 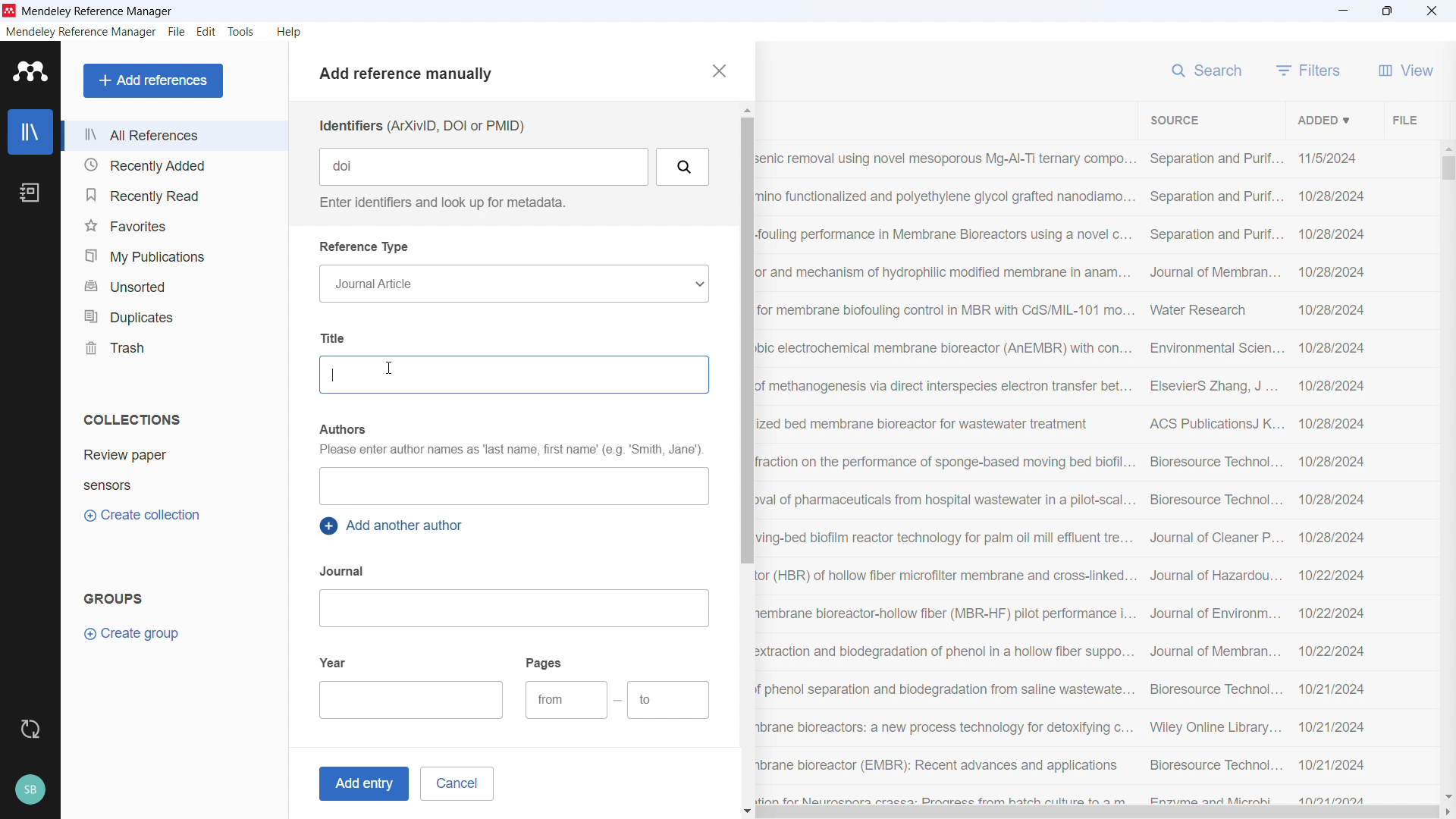 I want to click on Profile , so click(x=30, y=790).